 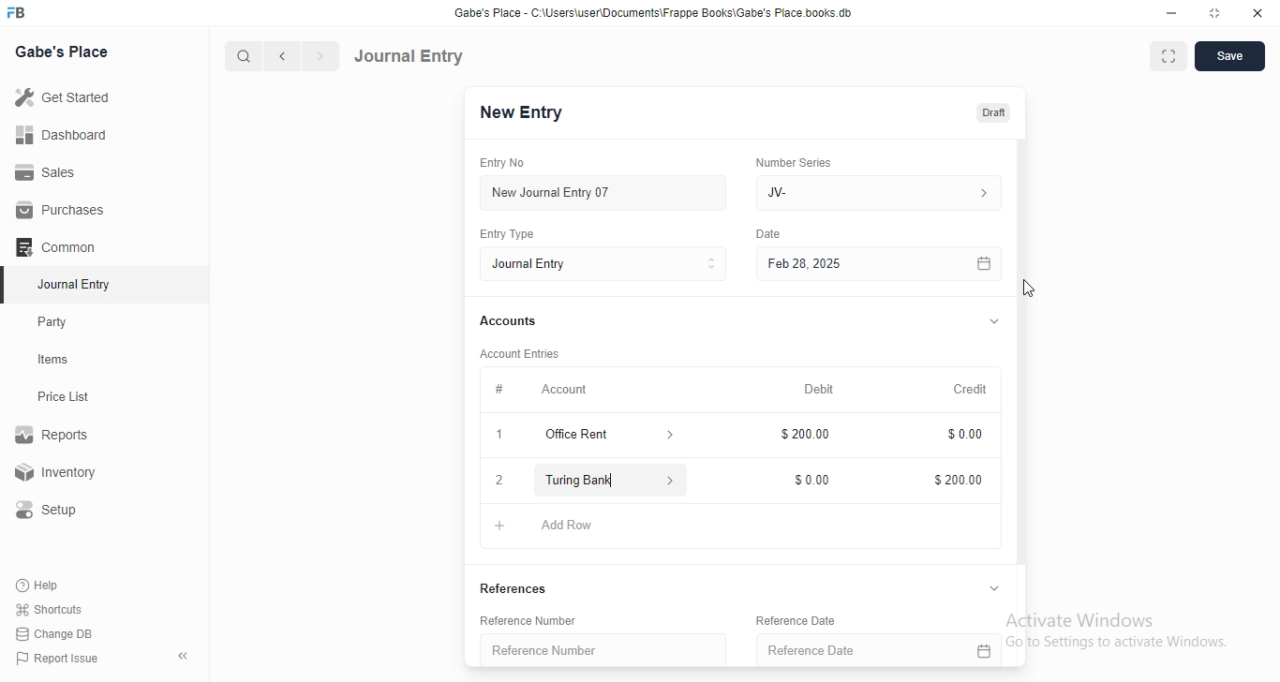 I want to click on ‘Journal Entry, so click(x=77, y=284).